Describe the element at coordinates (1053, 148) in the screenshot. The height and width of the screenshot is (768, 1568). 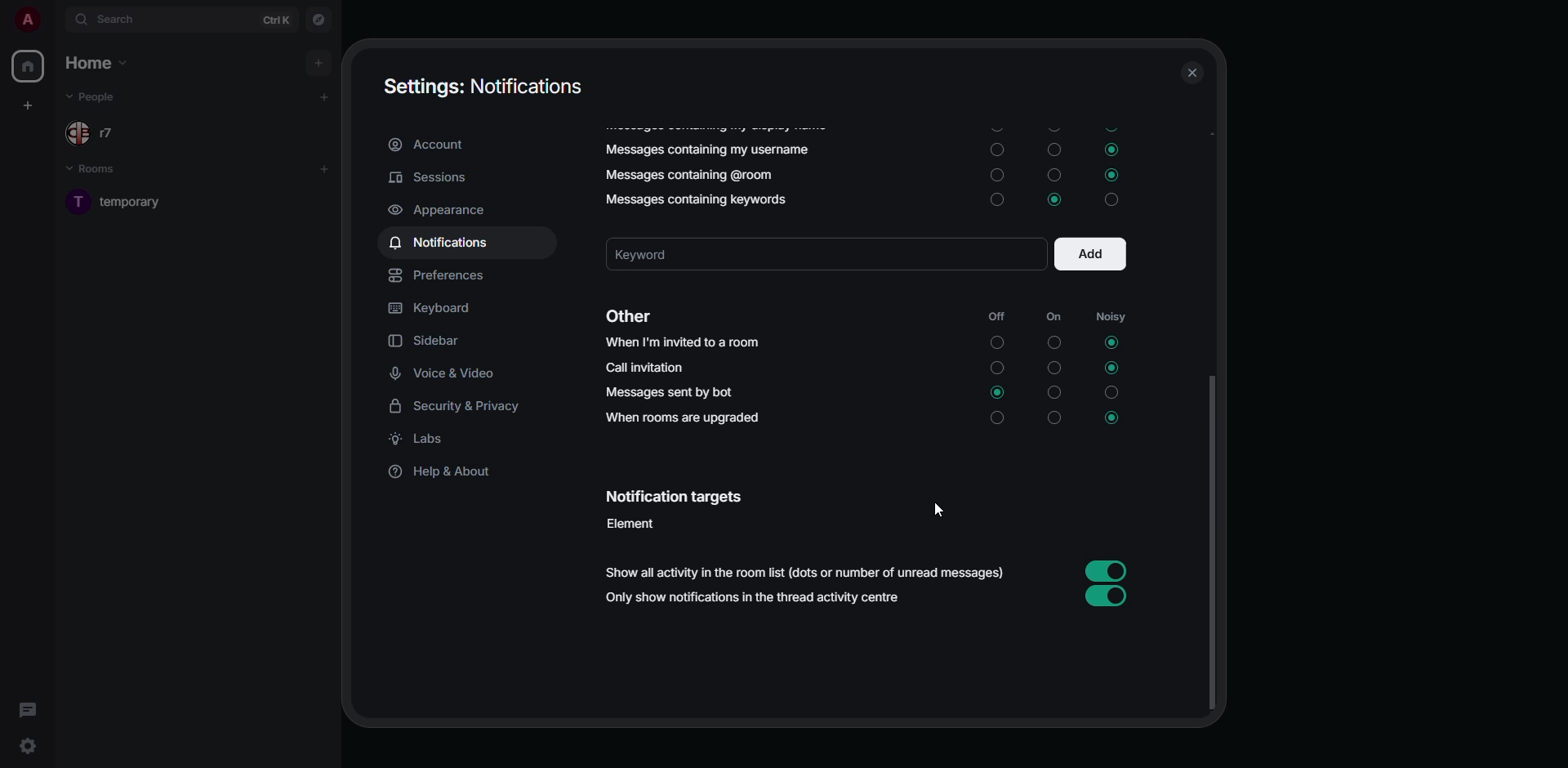
I see `On` at that location.